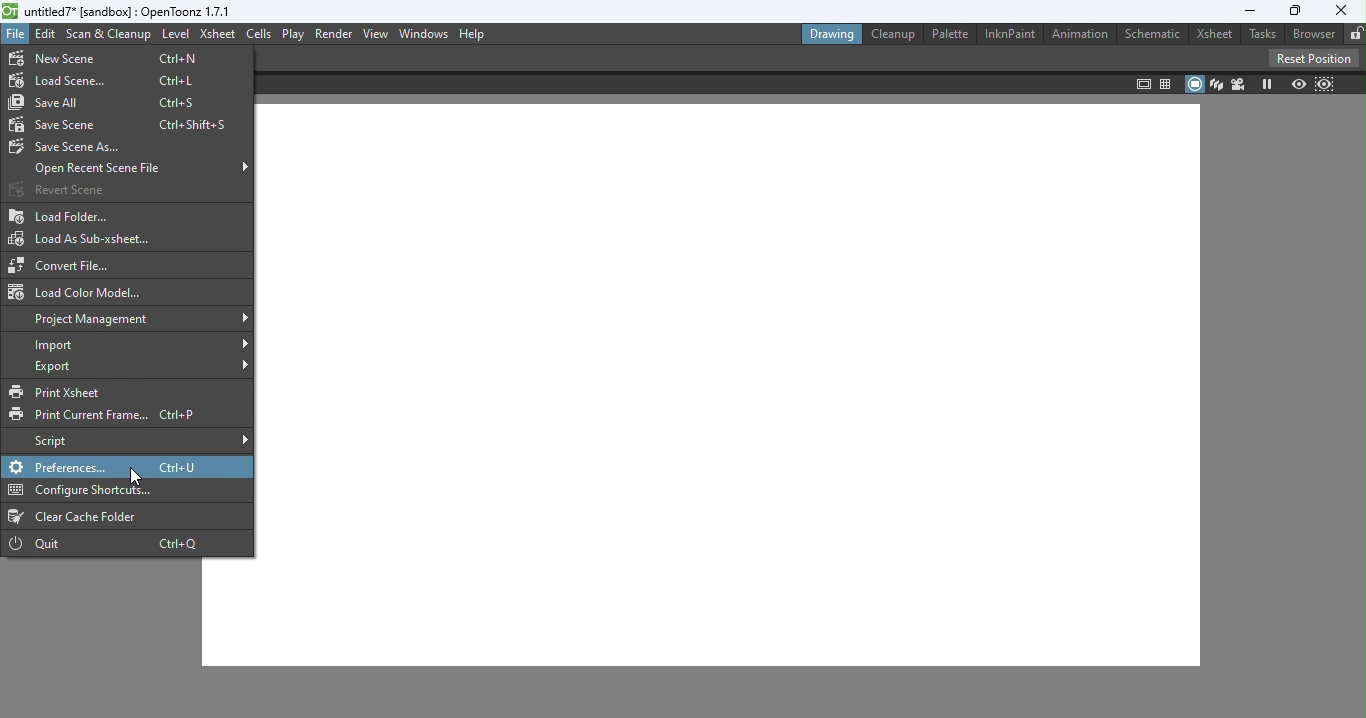  I want to click on Schematic, so click(1154, 33).